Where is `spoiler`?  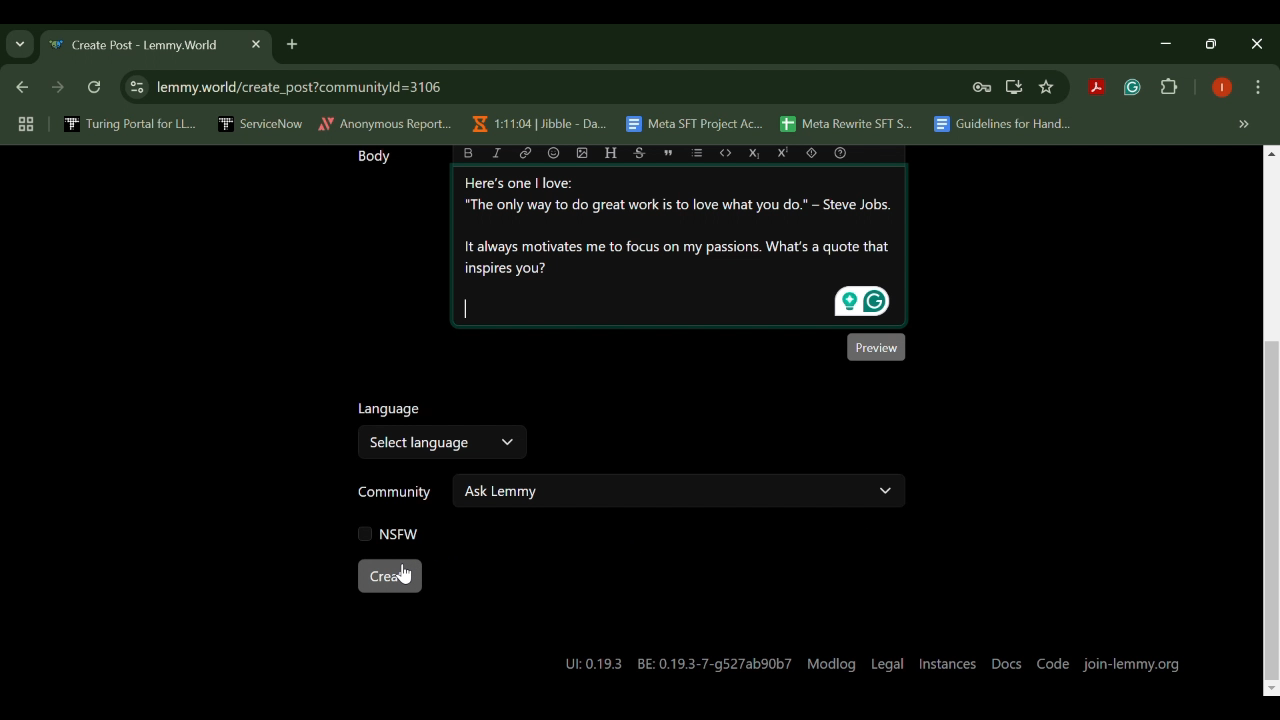
spoiler is located at coordinates (811, 153).